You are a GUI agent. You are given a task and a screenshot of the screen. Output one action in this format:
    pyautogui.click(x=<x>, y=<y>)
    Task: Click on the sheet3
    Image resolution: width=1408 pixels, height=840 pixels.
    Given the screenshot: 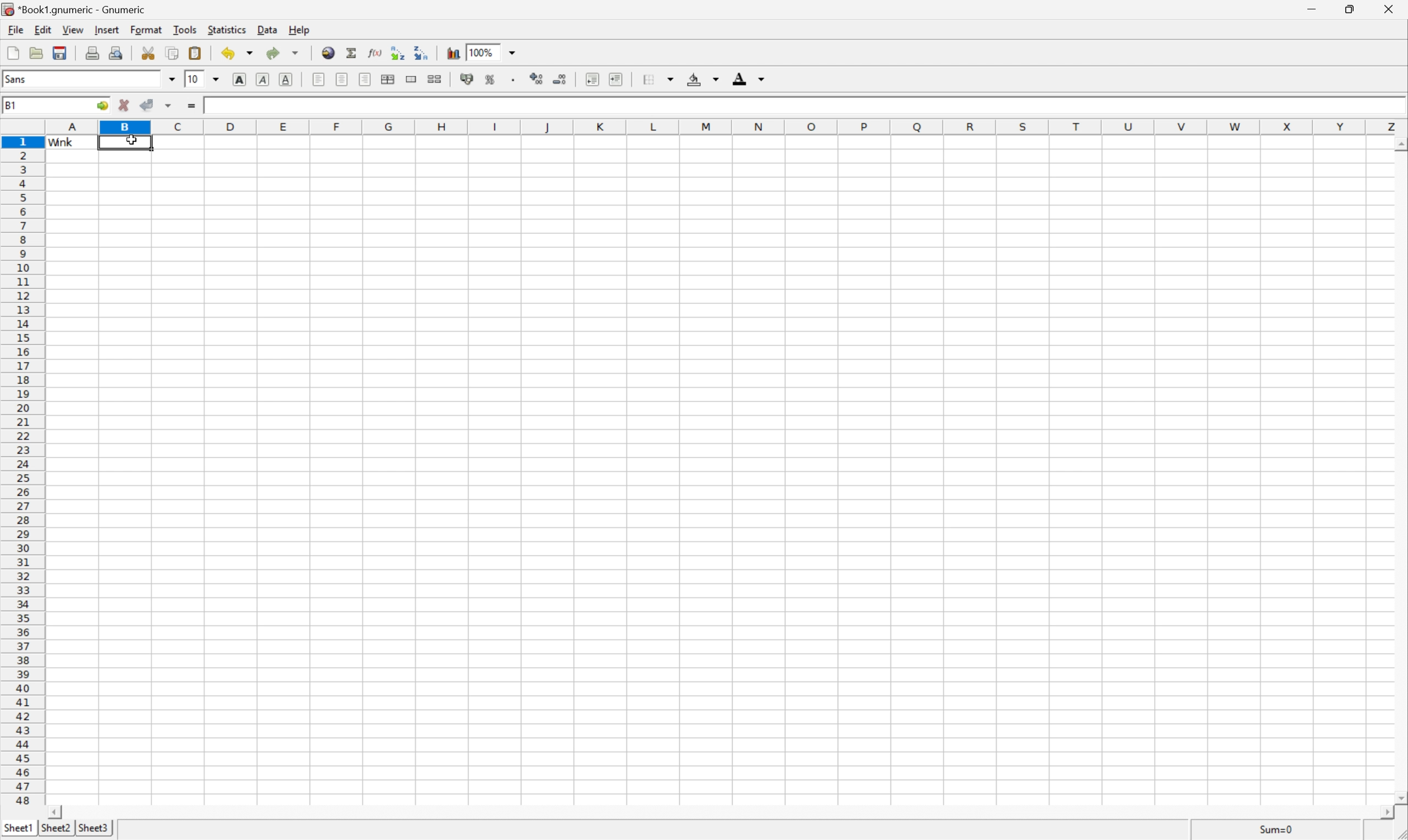 What is the action you would take?
    pyautogui.click(x=93, y=828)
    